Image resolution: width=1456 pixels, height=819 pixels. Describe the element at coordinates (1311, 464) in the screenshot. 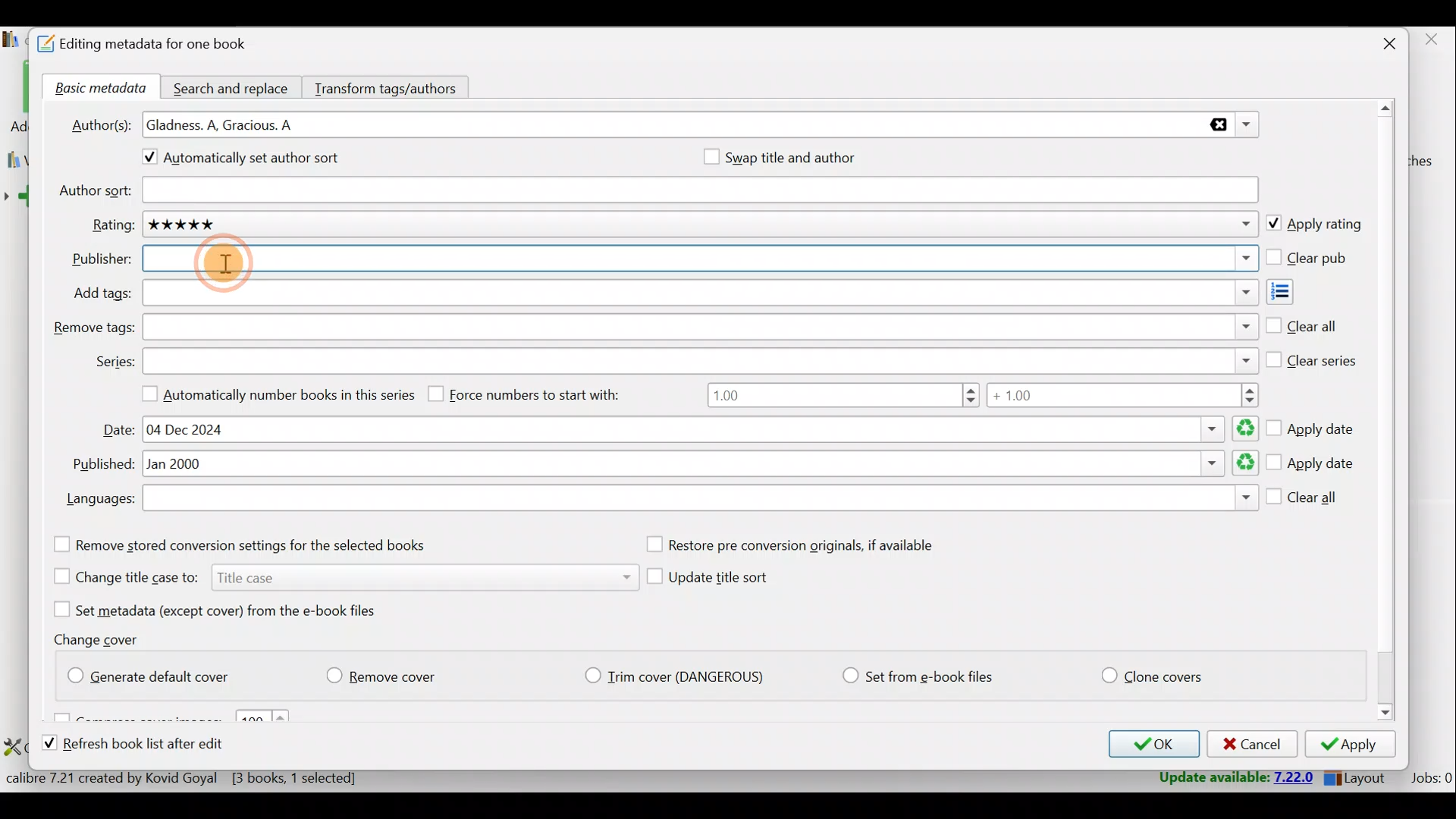

I see `Apply date` at that location.